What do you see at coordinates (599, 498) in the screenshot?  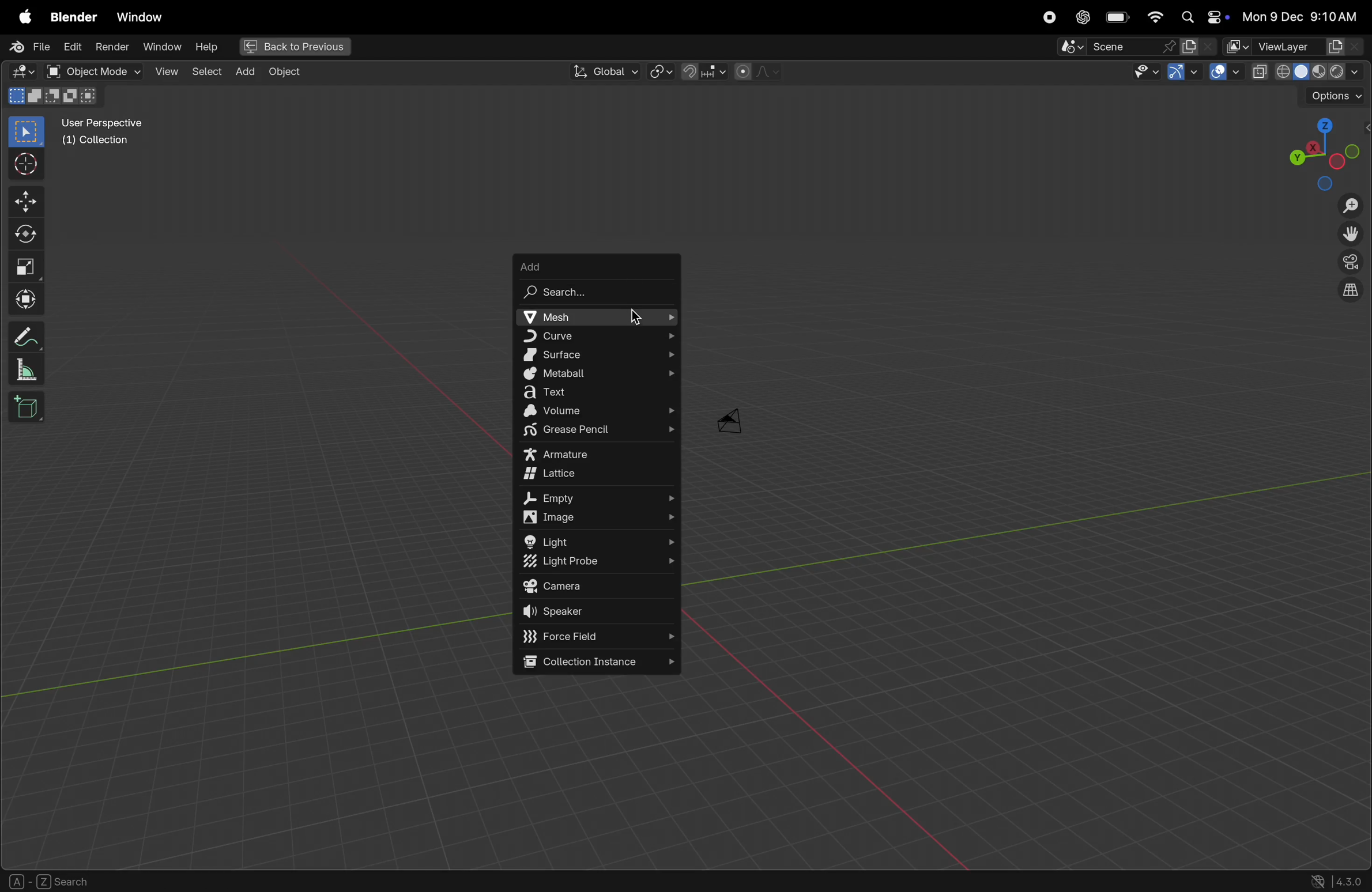 I see `empty` at bounding box center [599, 498].